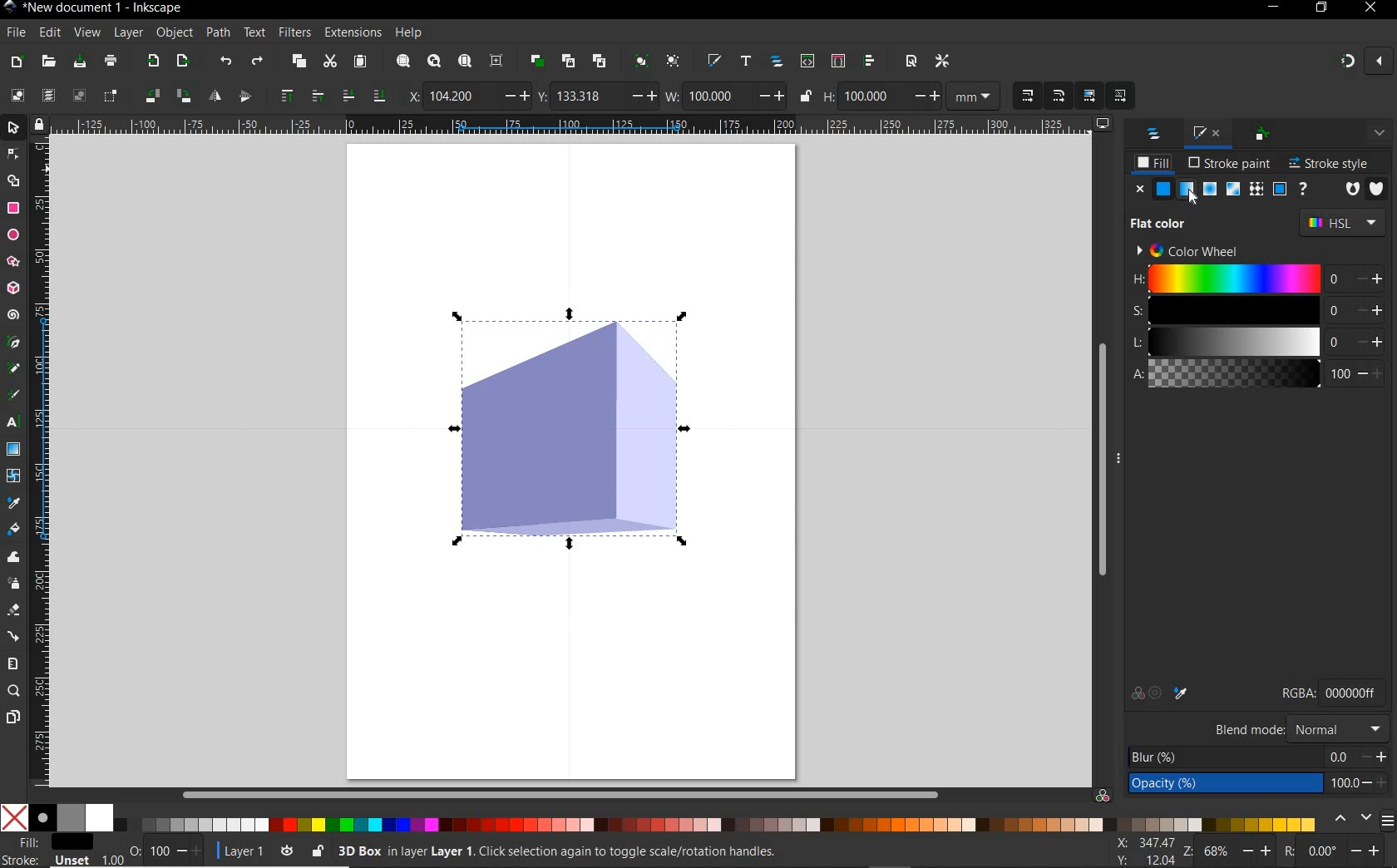  Describe the element at coordinates (1381, 62) in the screenshot. I see `close` at that location.